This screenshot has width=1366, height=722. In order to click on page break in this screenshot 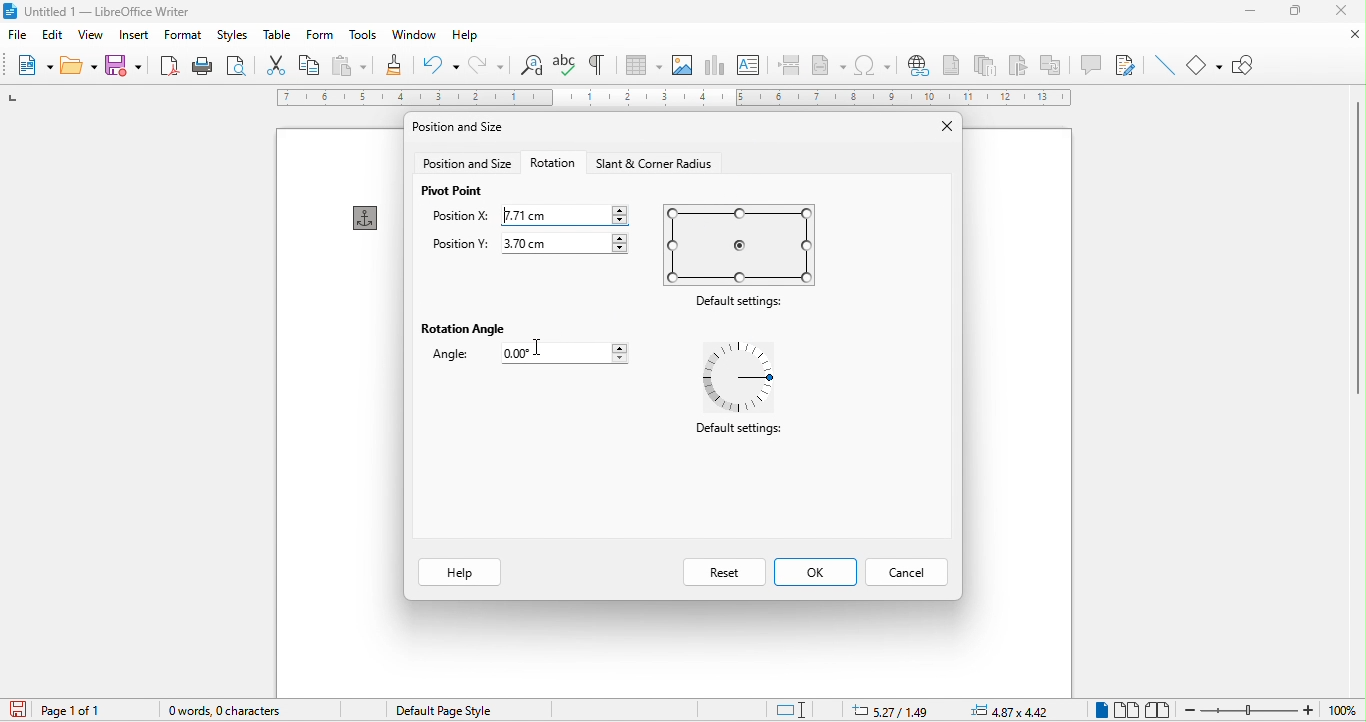, I will do `click(787, 63)`.